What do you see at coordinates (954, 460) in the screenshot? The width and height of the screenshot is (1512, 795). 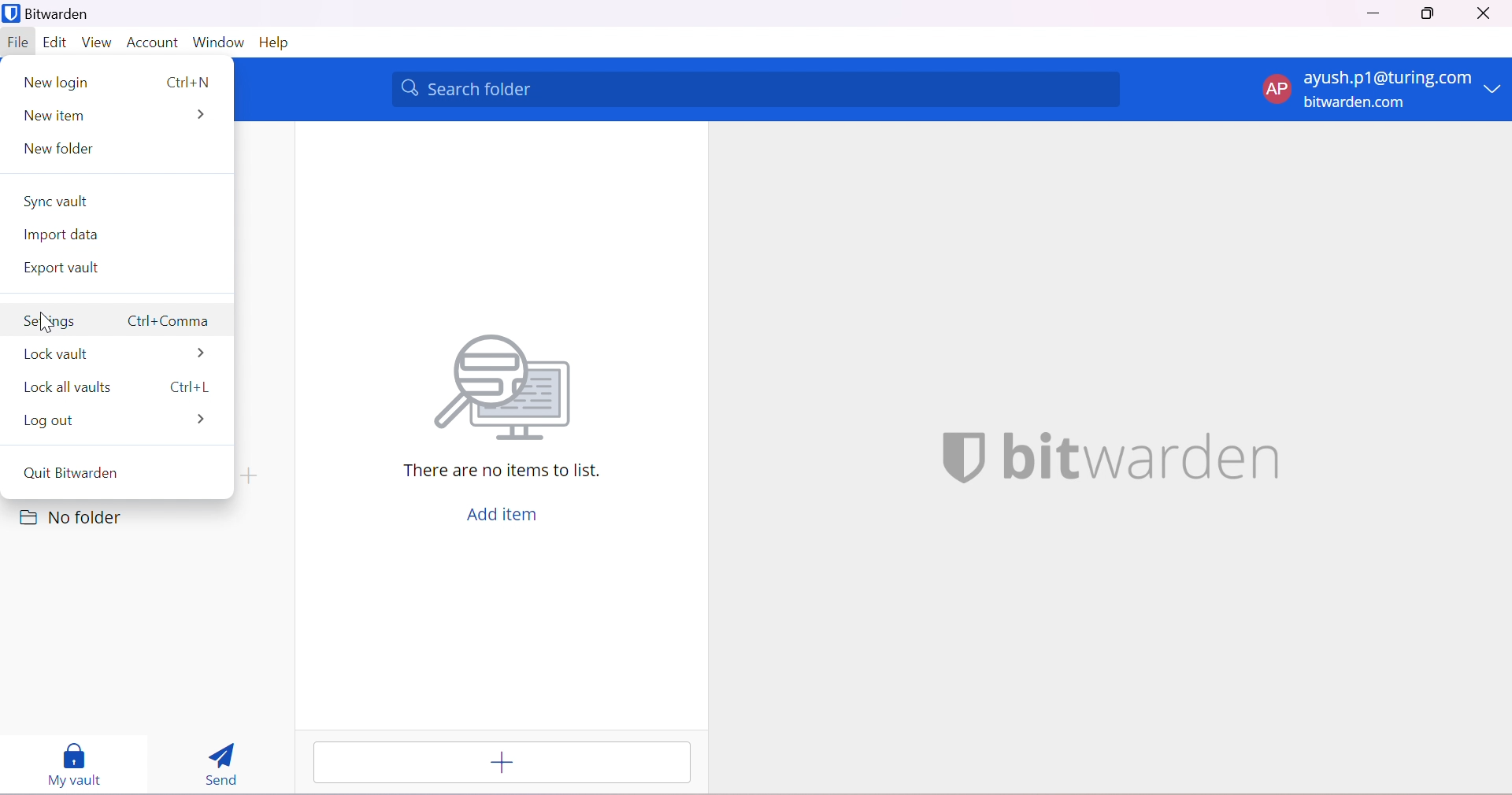 I see `bitwarden logo` at bounding box center [954, 460].